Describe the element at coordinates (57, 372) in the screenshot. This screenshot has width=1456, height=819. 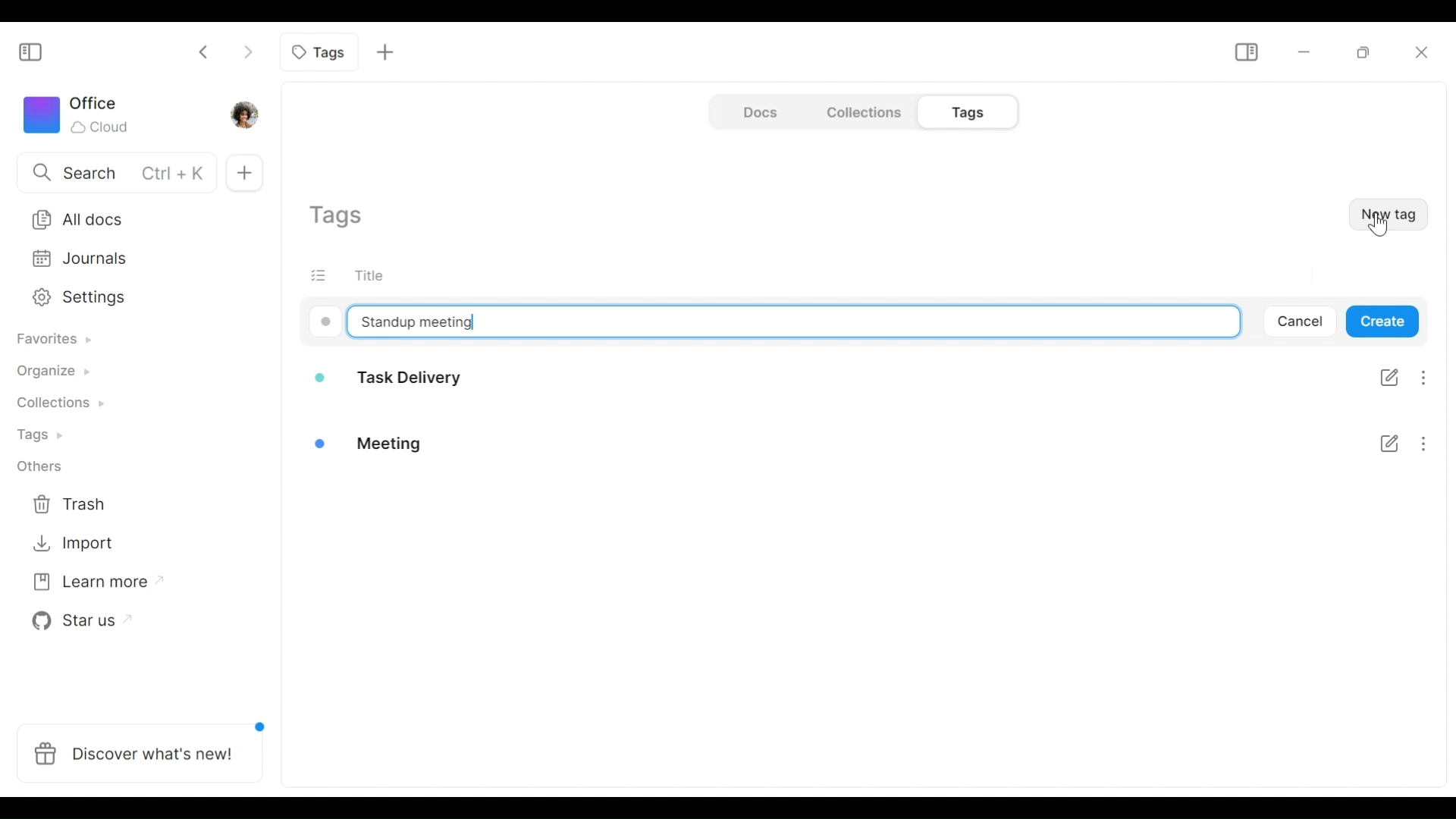
I see `Organize` at that location.